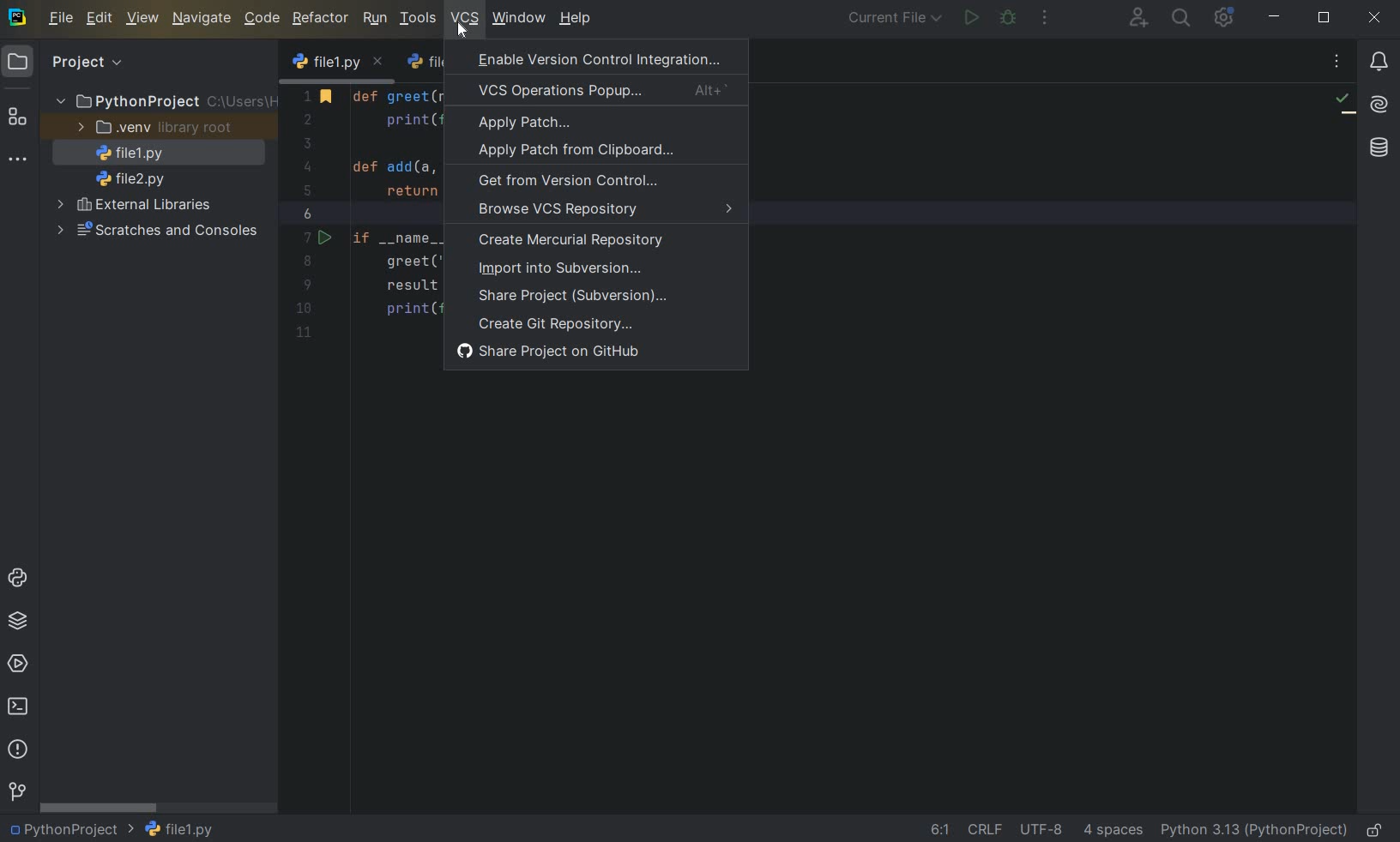 The width and height of the screenshot is (1400, 842). Describe the element at coordinates (17, 119) in the screenshot. I see `structure` at that location.